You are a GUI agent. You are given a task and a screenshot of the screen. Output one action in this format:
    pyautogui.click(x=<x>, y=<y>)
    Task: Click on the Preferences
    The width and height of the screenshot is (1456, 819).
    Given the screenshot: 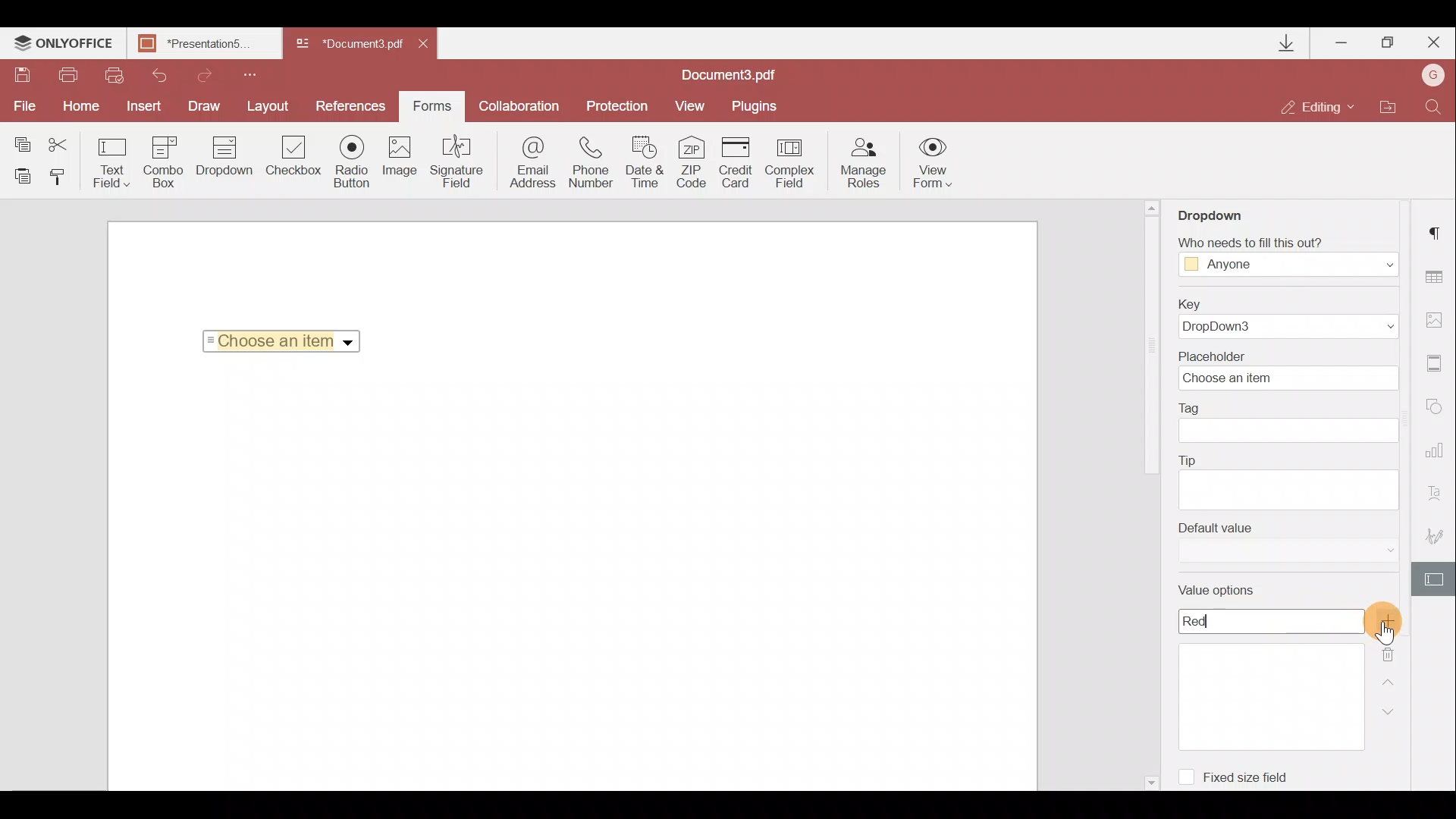 What is the action you would take?
    pyautogui.click(x=352, y=106)
    